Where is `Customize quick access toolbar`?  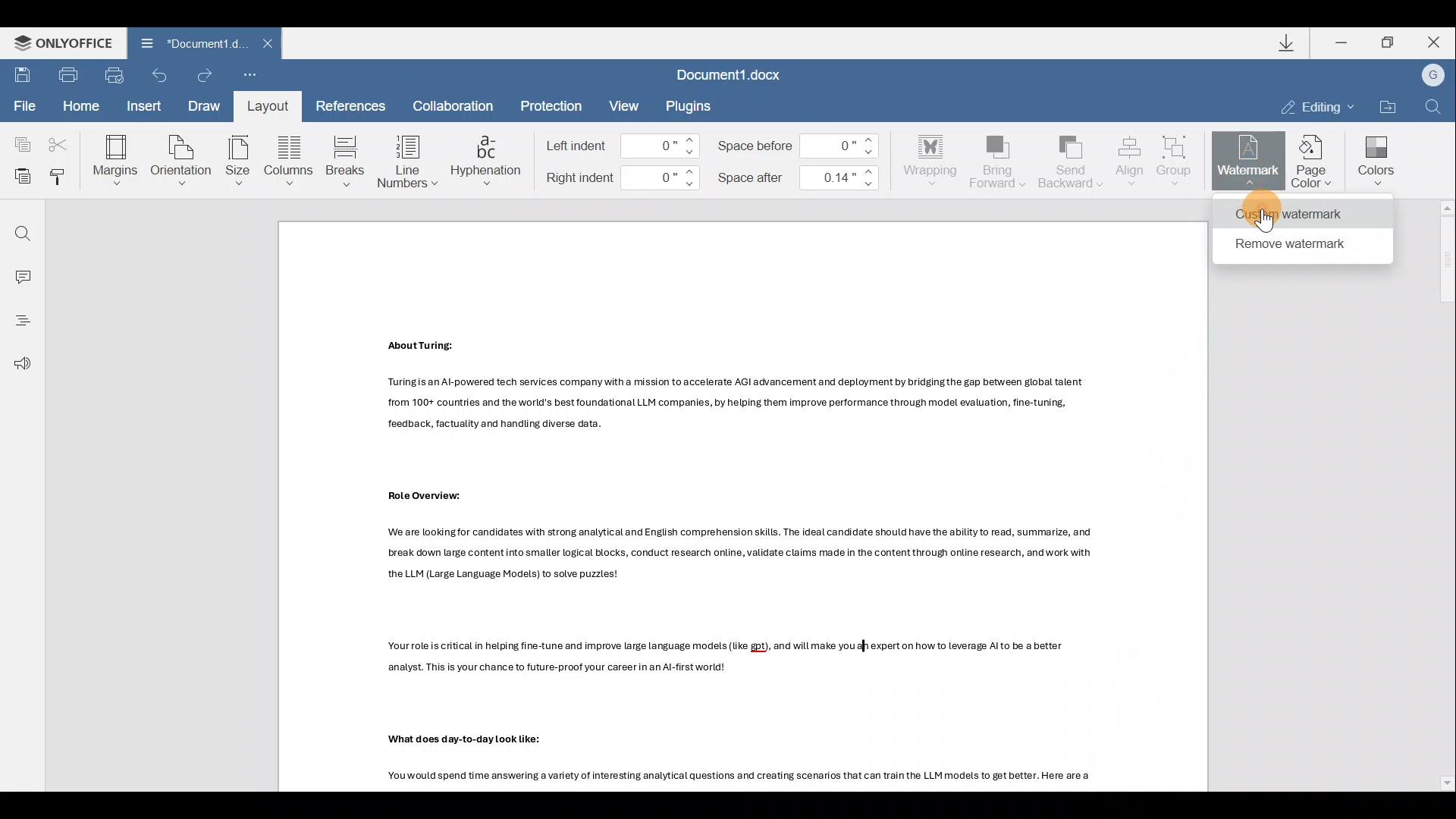
Customize quick access toolbar is located at coordinates (246, 76).